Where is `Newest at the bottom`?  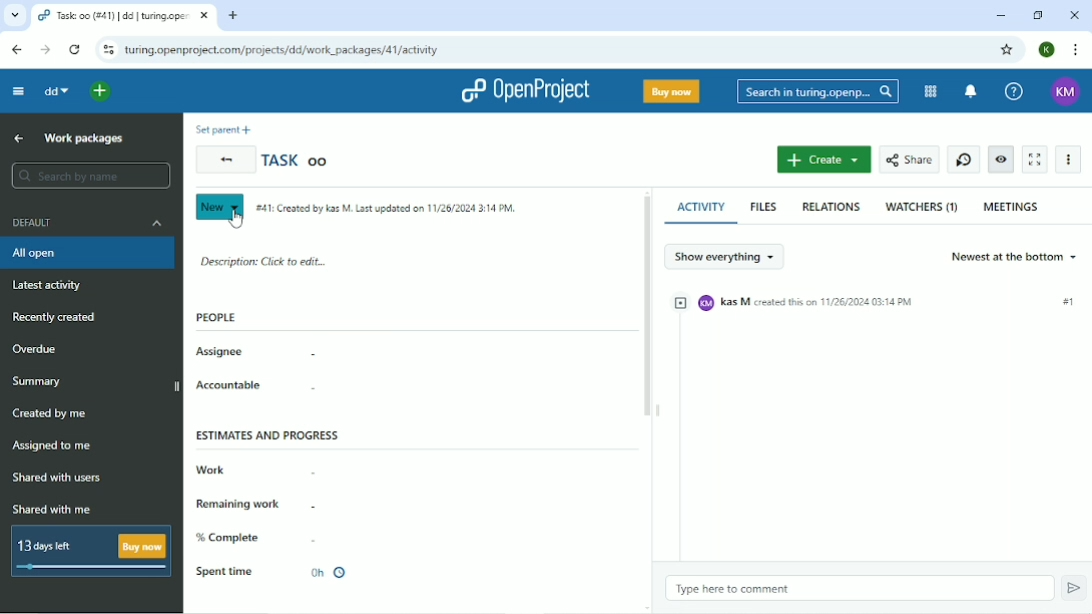 Newest at the bottom is located at coordinates (1016, 256).